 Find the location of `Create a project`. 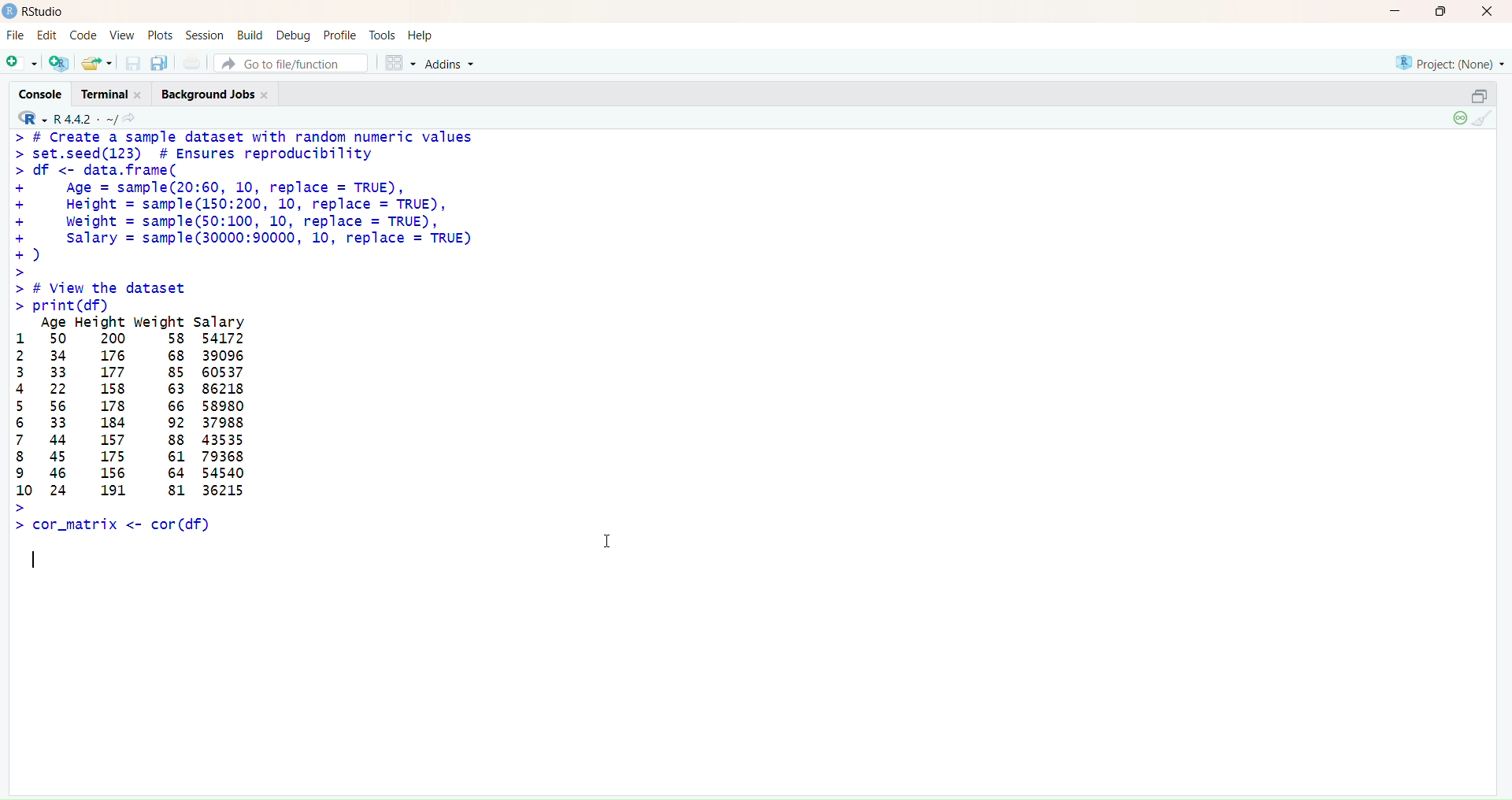

Create a project is located at coordinates (57, 61).